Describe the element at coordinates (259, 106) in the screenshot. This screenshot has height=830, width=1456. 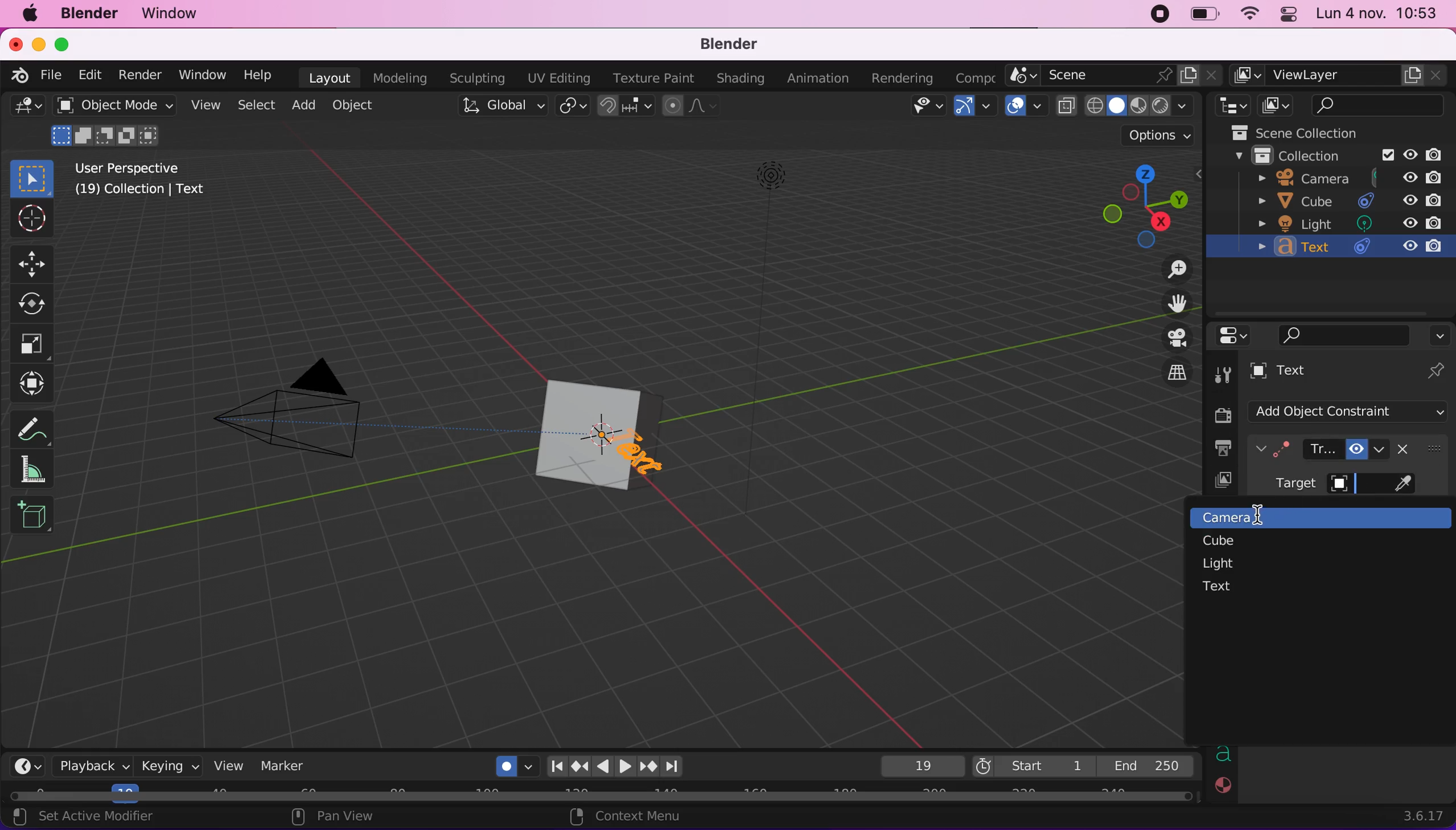
I see `select` at that location.